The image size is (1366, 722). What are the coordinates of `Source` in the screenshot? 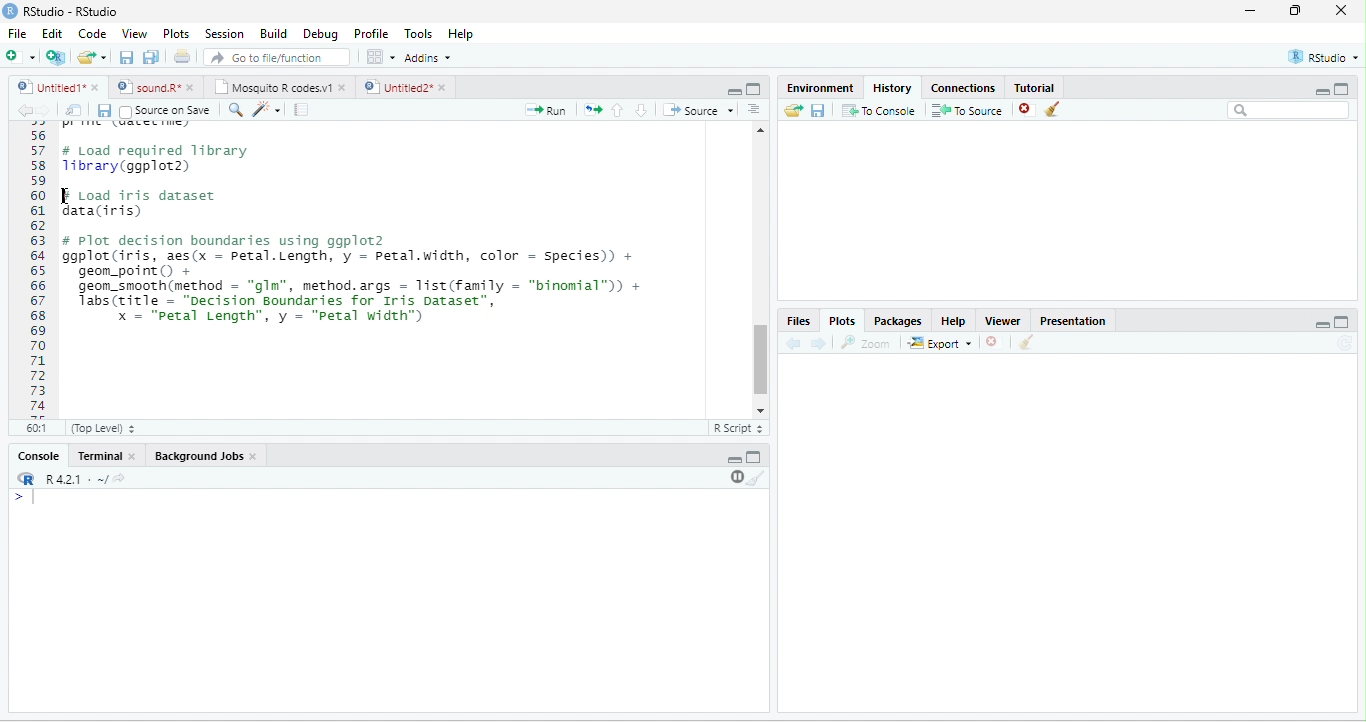 It's located at (698, 110).